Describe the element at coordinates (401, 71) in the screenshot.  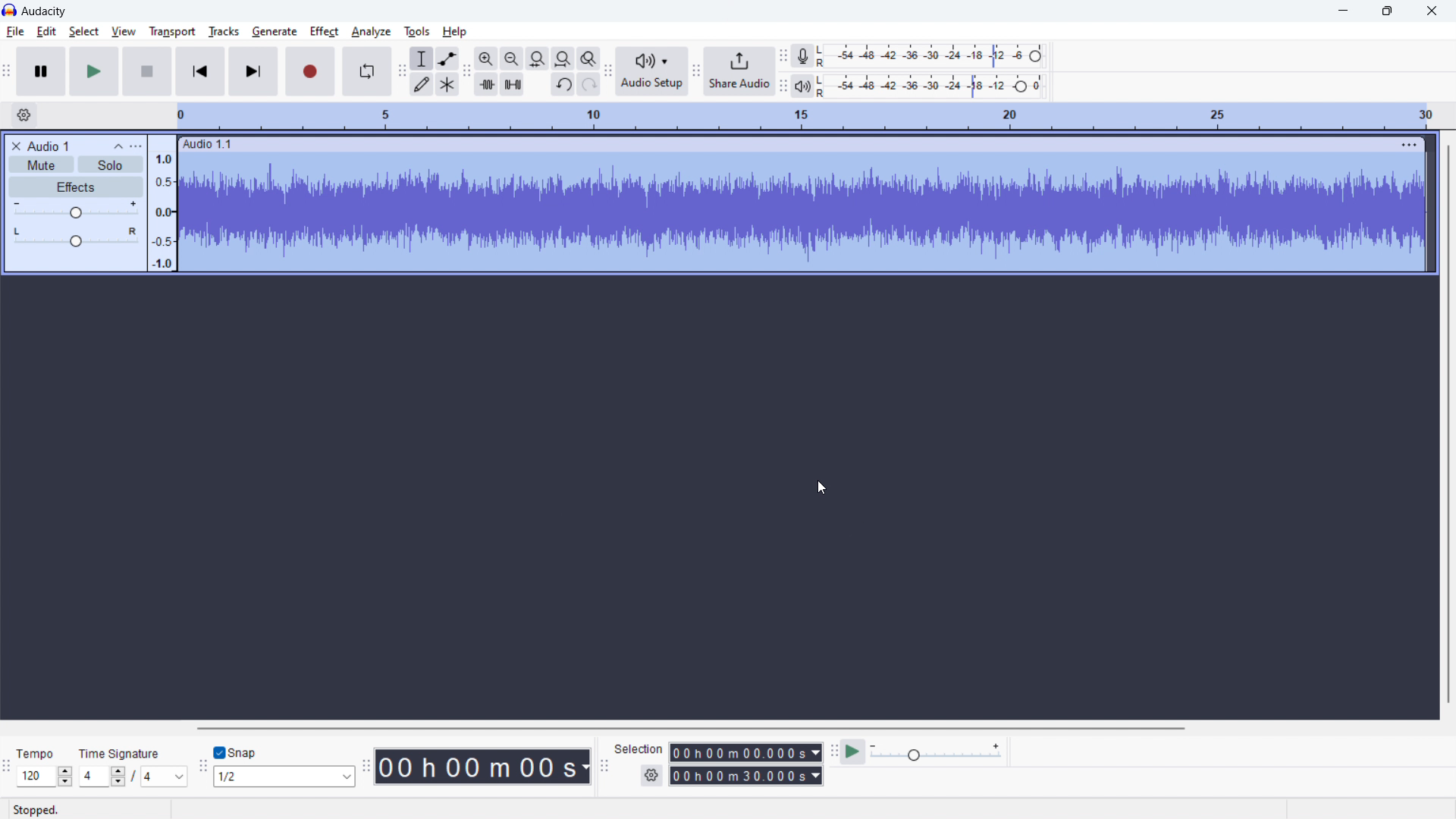
I see `tools toolbar` at that location.